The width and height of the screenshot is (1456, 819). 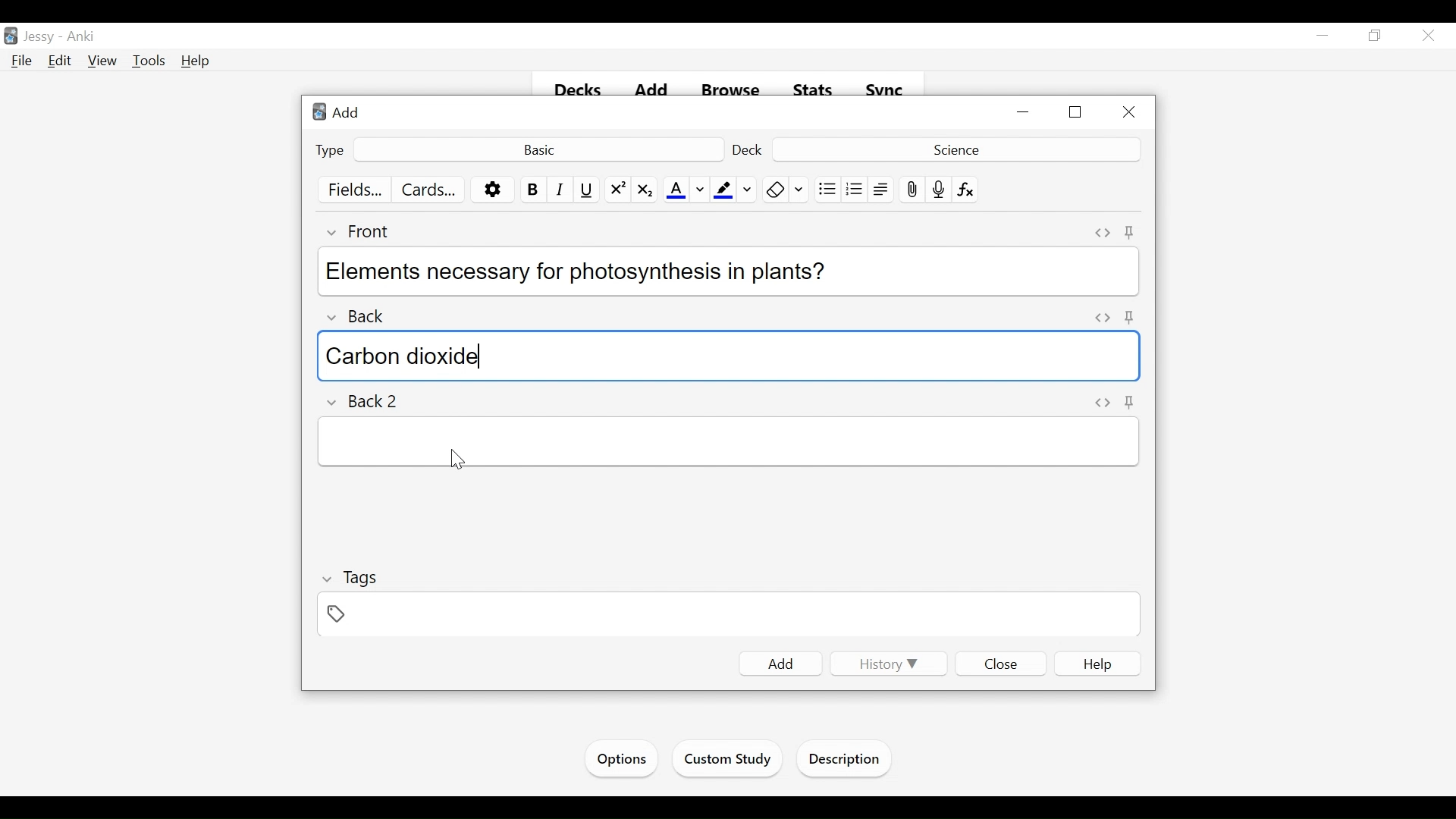 What do you see at coordinates (966, 190) in the screenshot?
I see `Equation` at bounding box center [966, 190].